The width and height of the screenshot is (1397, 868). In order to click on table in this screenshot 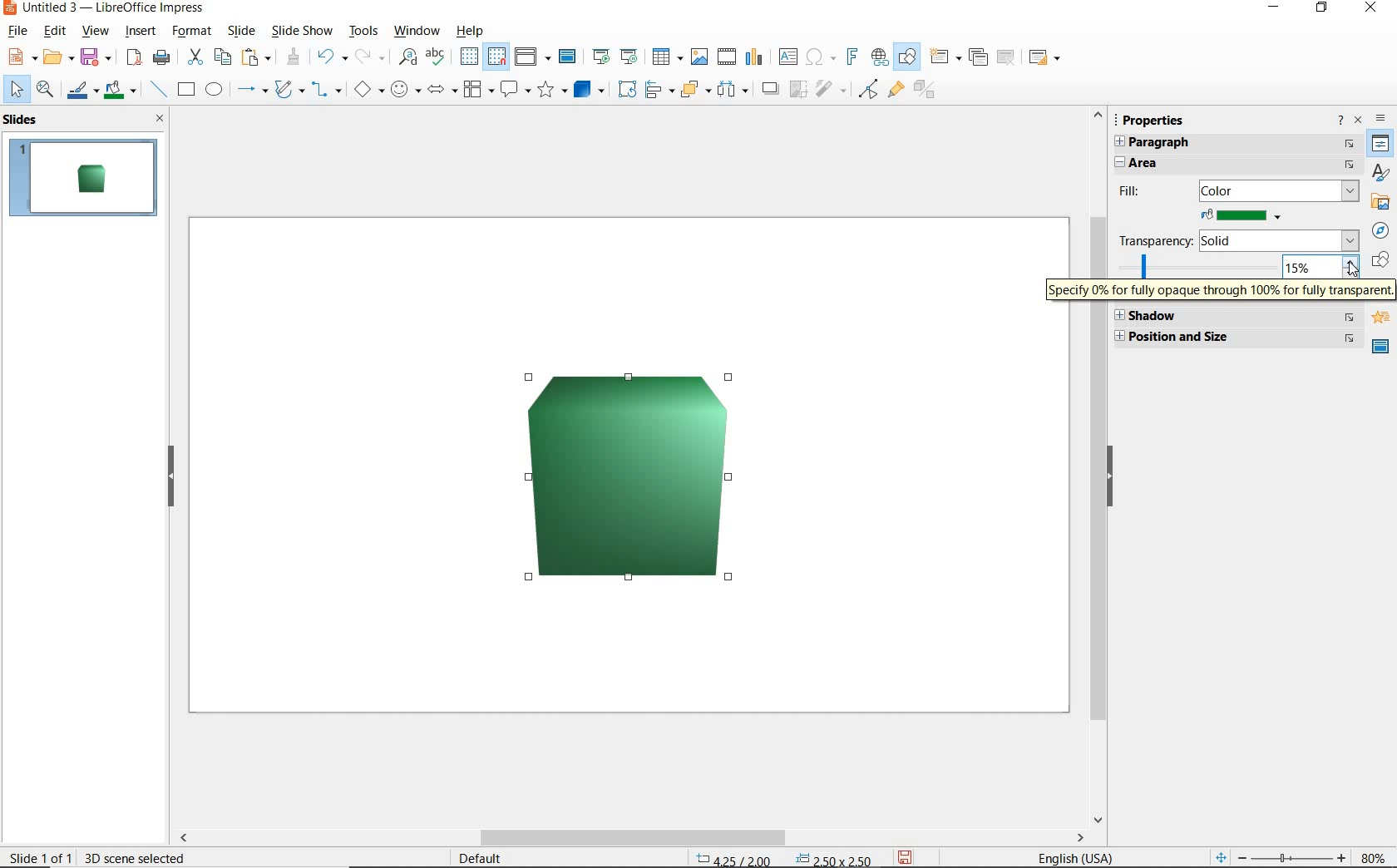, I will do `click(666, 55)`.